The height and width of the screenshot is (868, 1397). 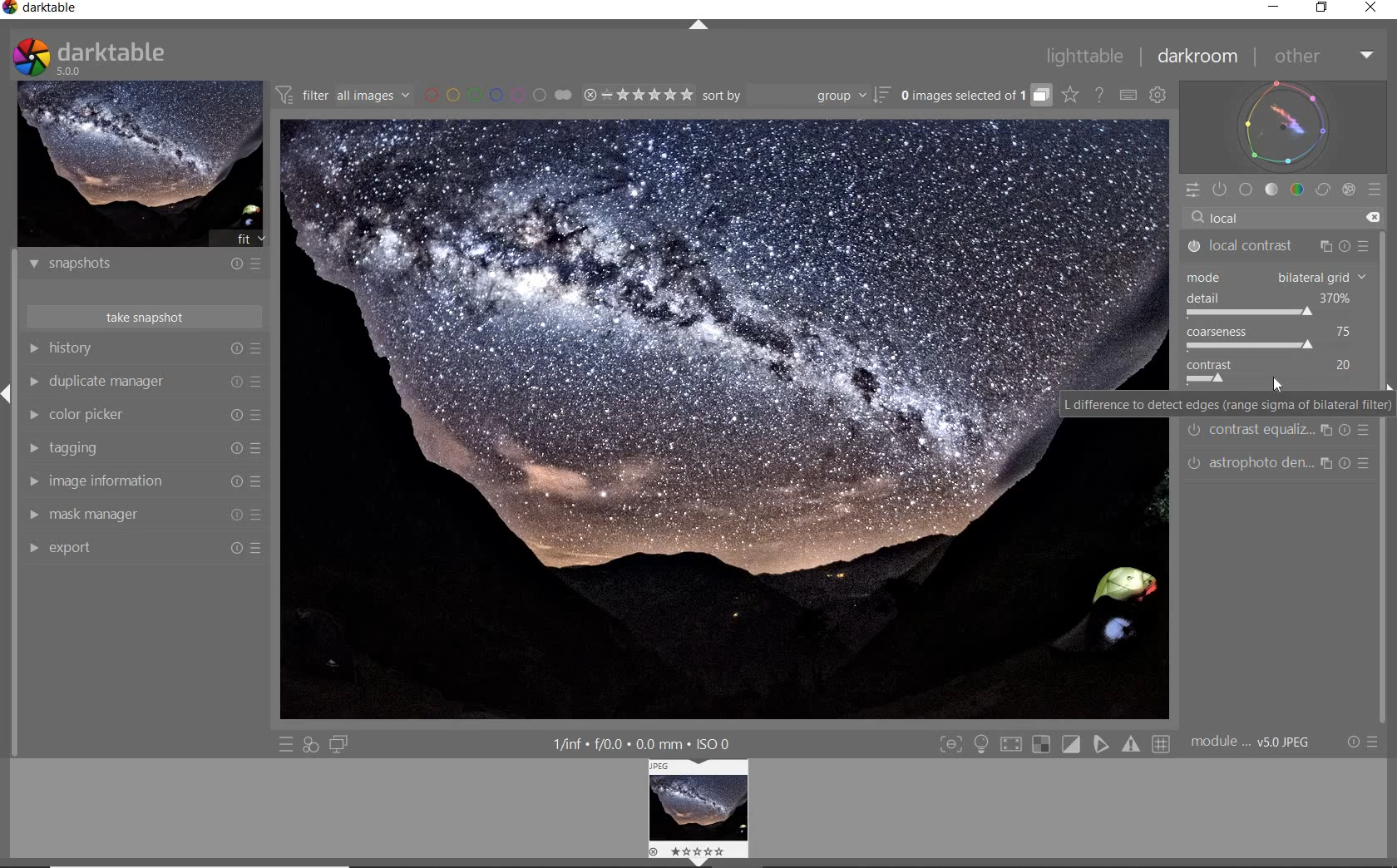 What do you see at coordinates (234, 378) in the screenshot?
I see `reset` at bounding box center [234, 378].